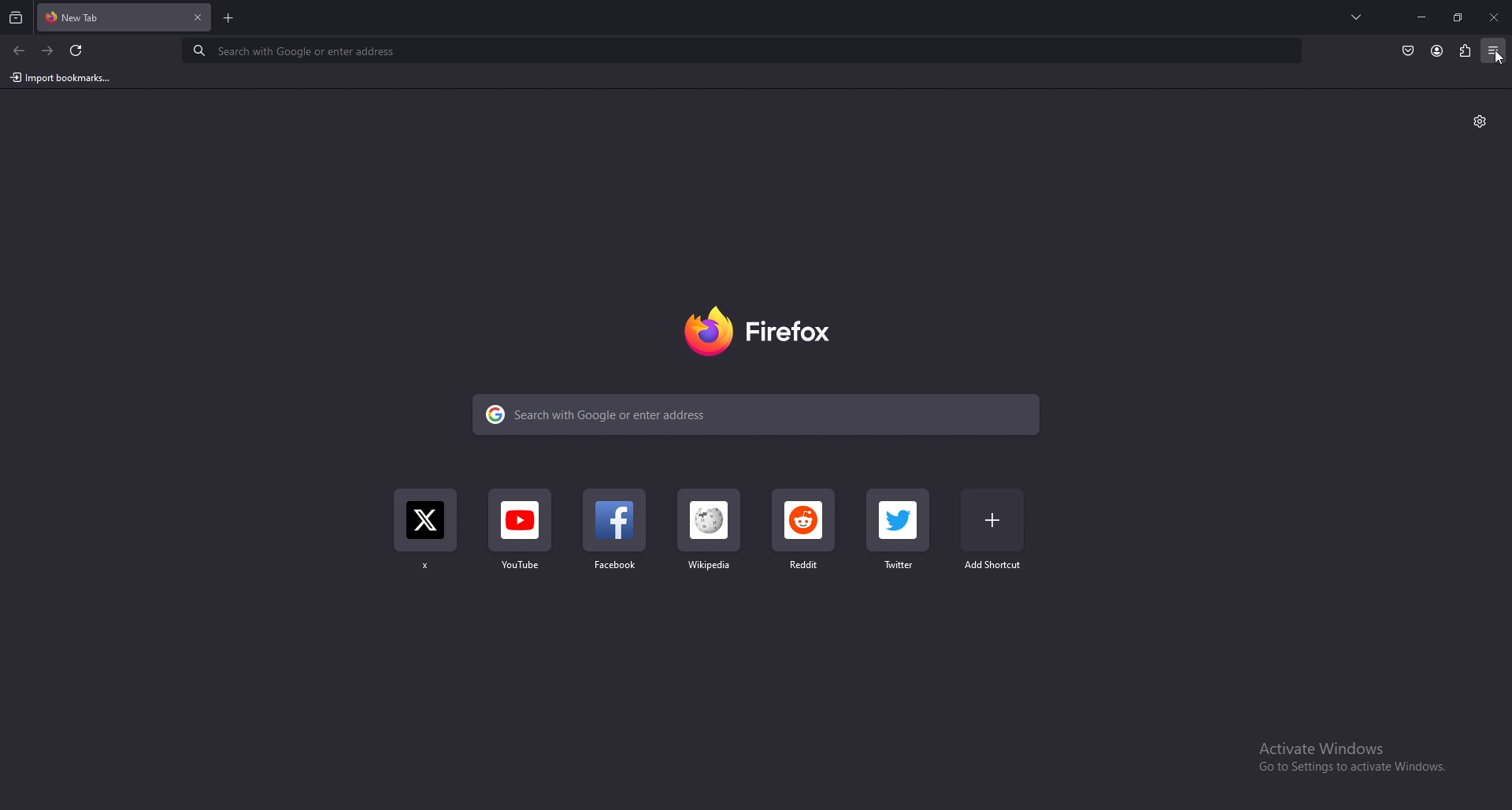  Describe the element at coordinates (49, 51) in the screenshot. I see `forward` at that location.